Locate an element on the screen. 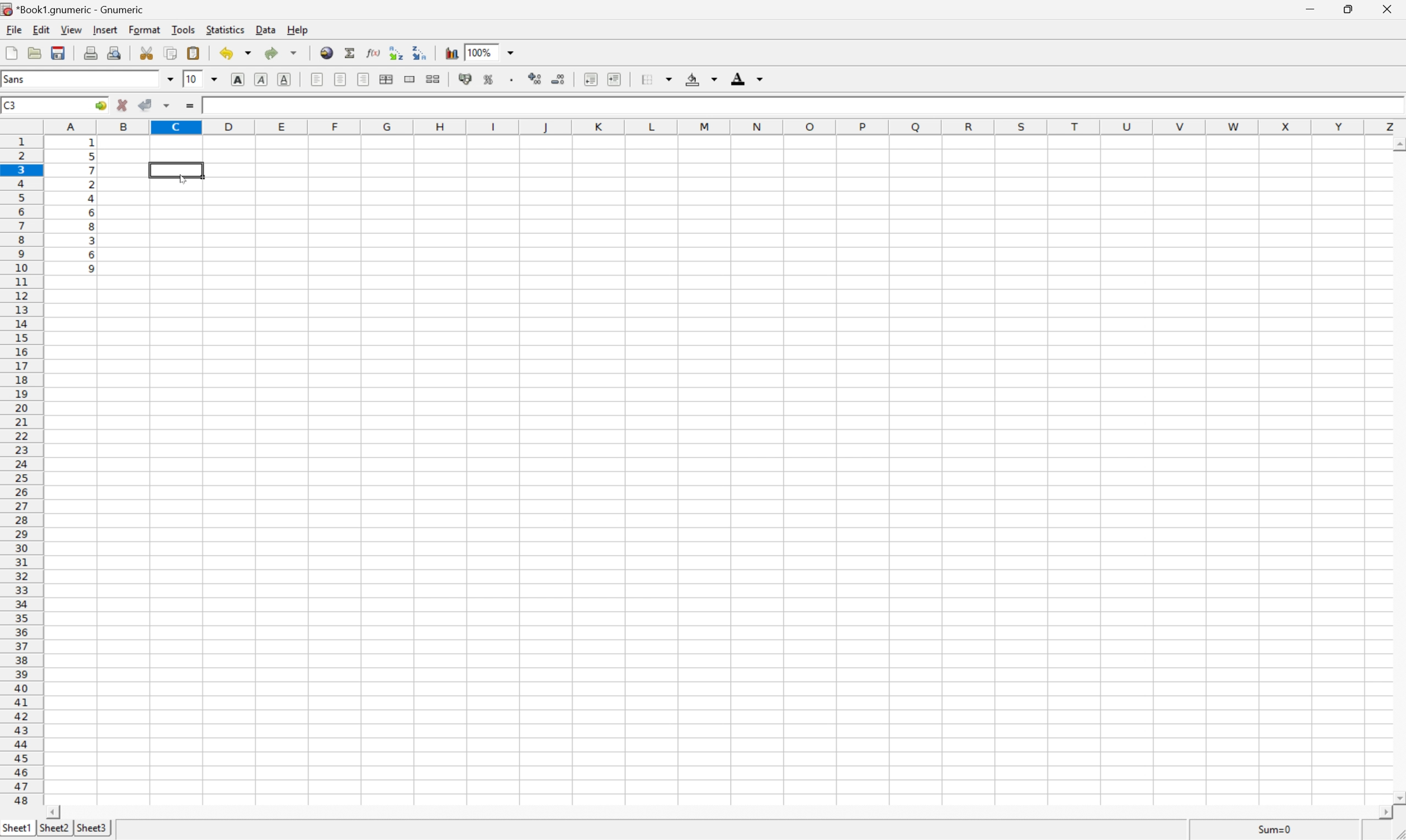 This screenshot has width=1406, height=840. open file is located at coordinates (35, 54).